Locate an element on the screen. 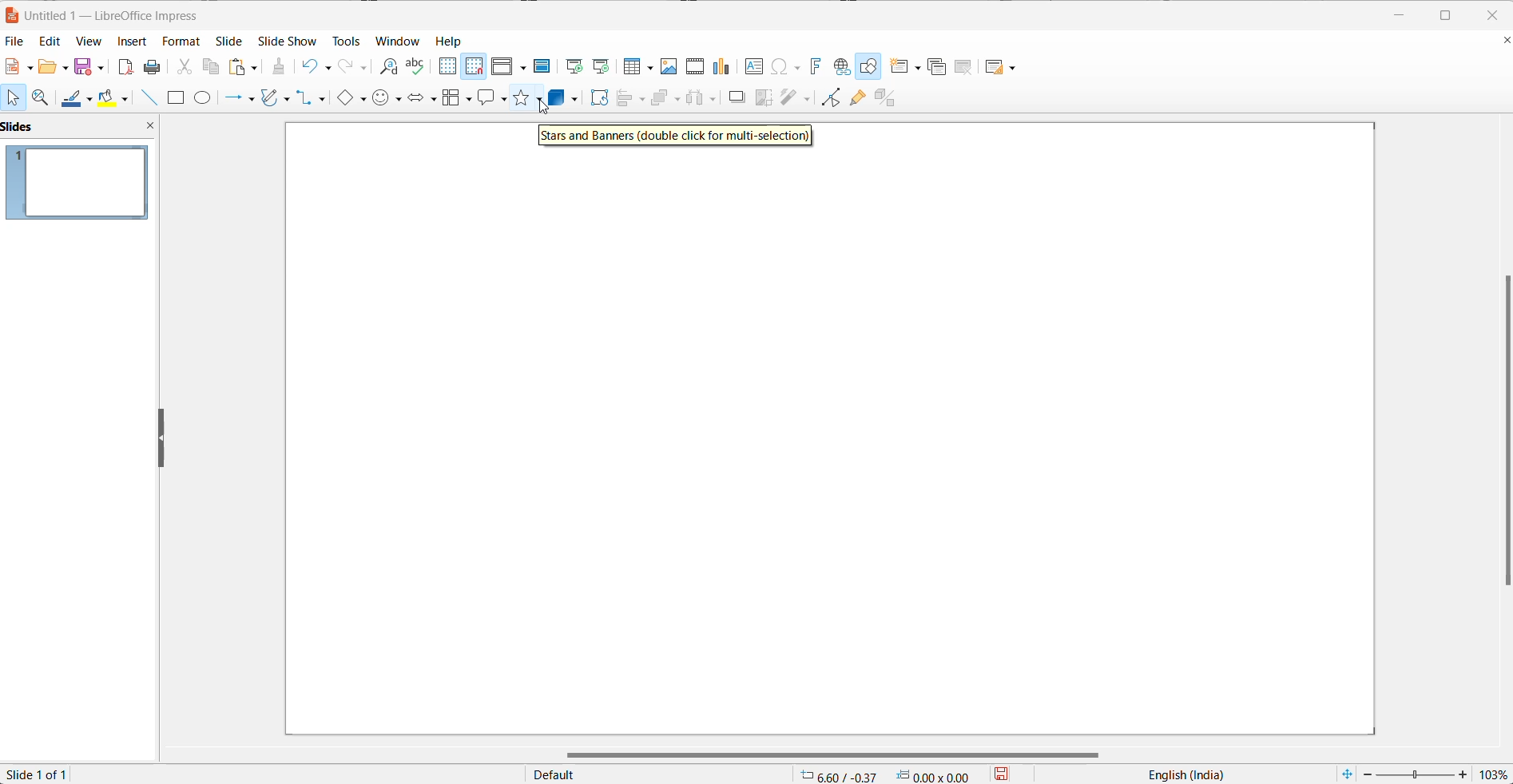 This screenshot has width=1513, height=784. close is located at coordinates (1496, 16).